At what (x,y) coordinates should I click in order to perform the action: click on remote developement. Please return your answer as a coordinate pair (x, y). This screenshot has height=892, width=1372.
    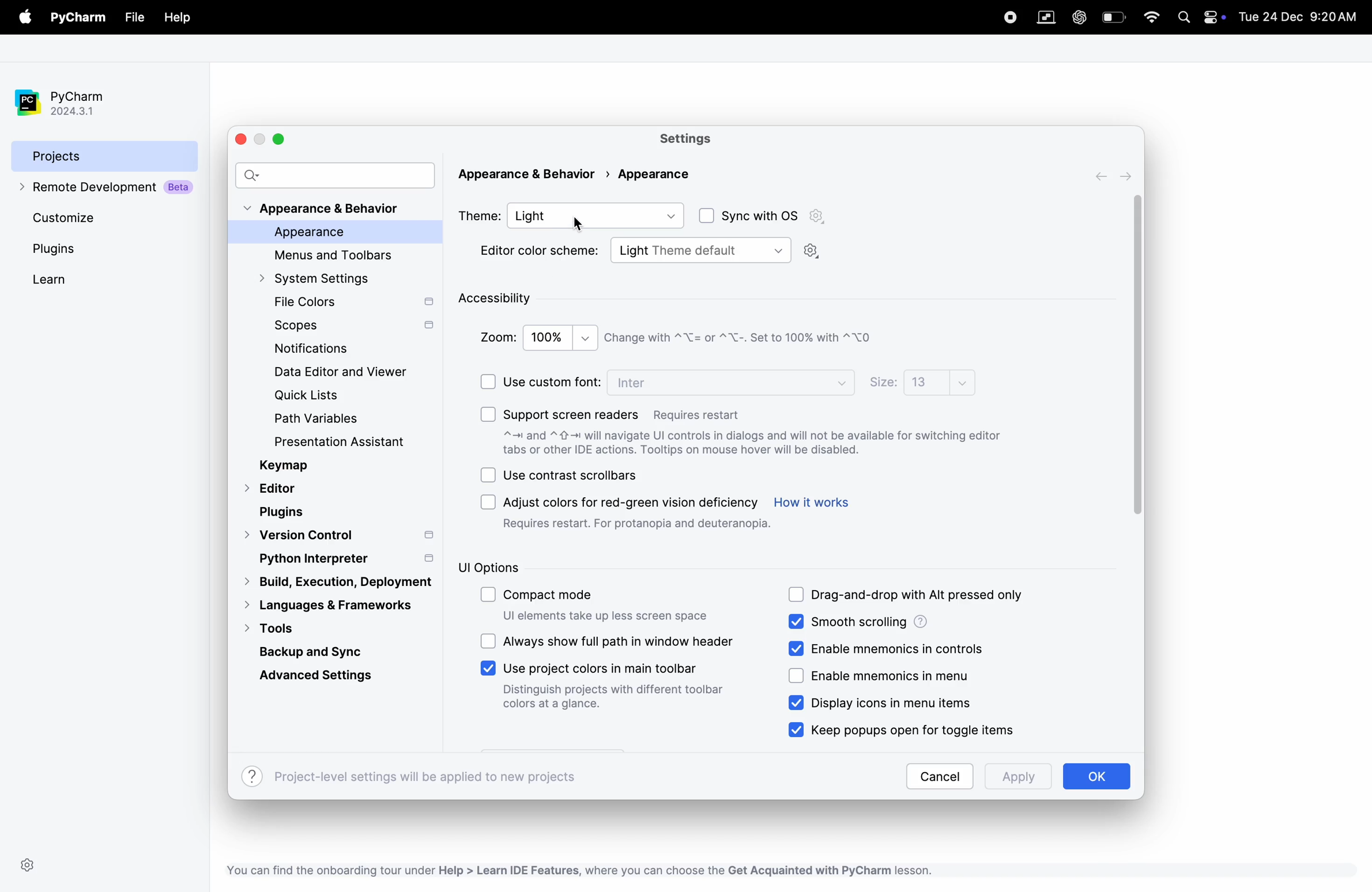
    Looking at the image, I should click on (108, 188).